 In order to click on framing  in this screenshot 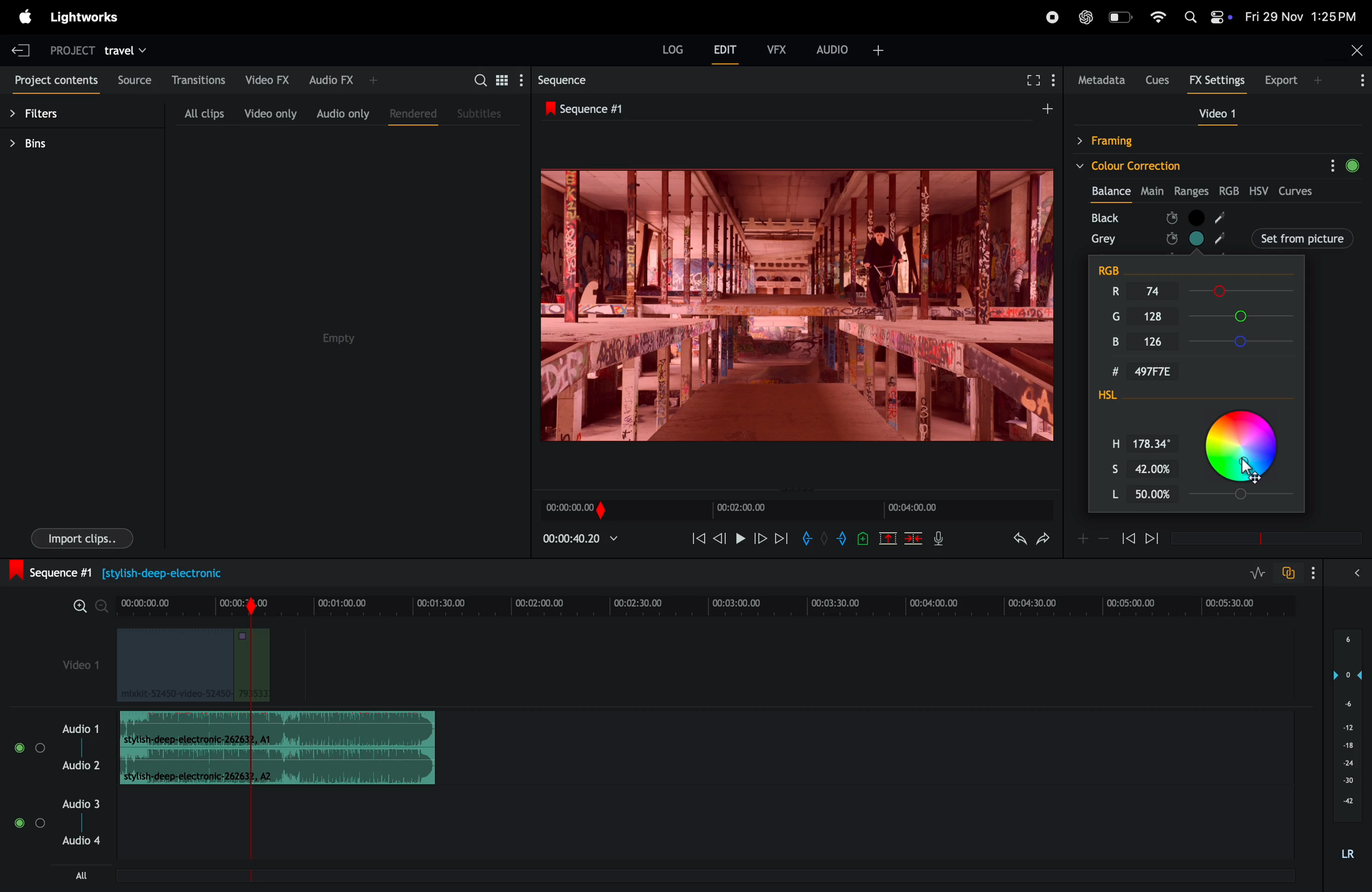, I will do `click(1162, 141)`.